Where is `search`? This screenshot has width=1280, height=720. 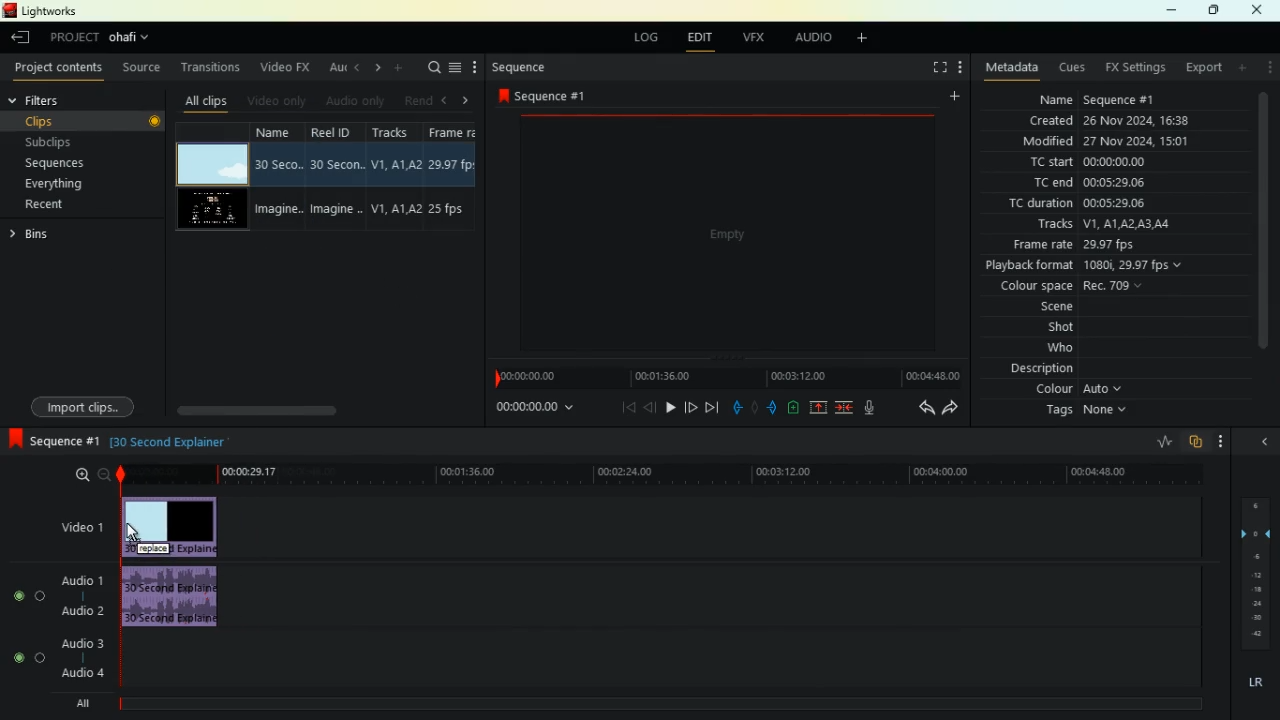
search is located at coordinates (434, 69).